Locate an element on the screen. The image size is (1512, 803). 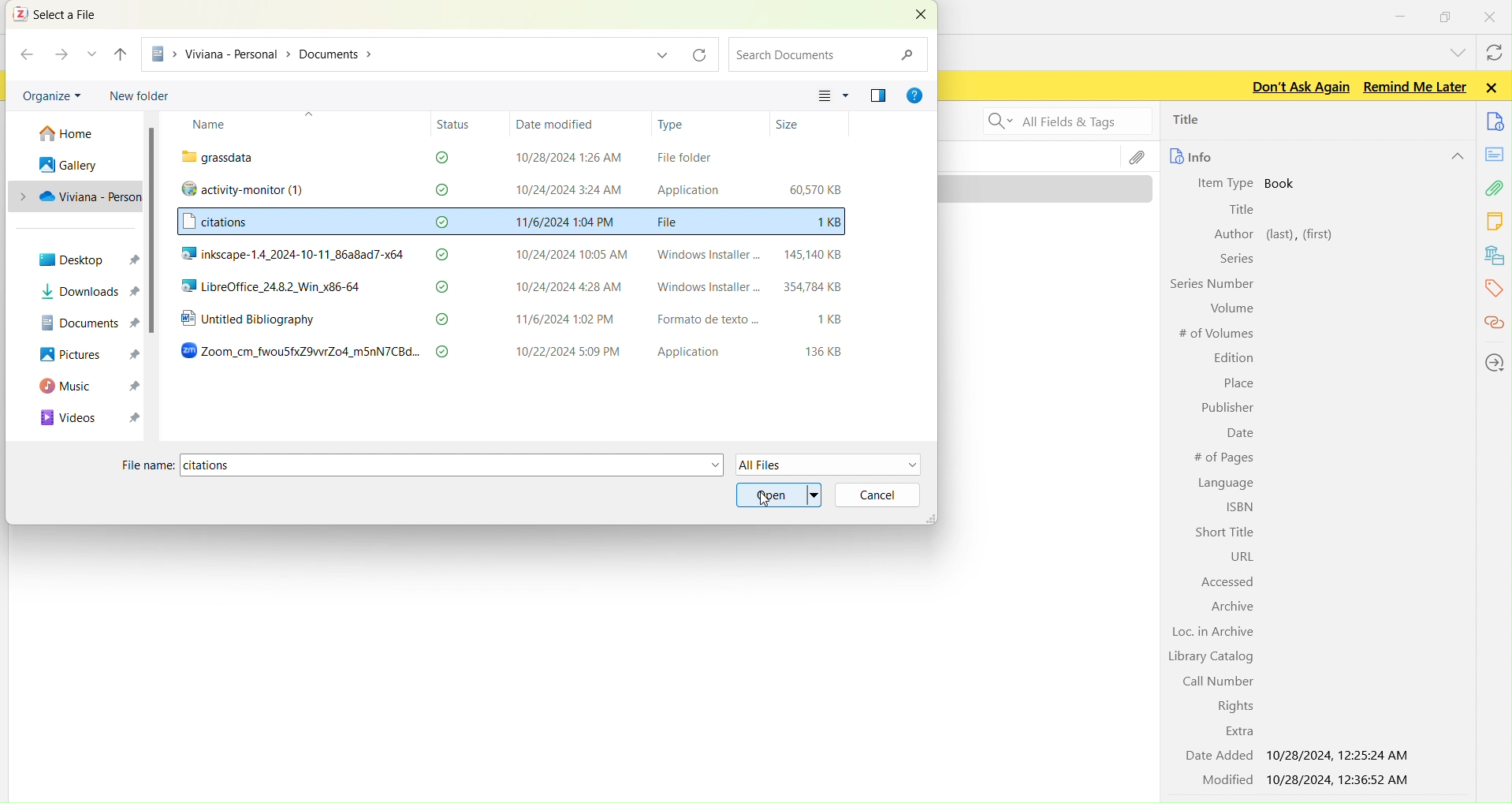
PC is located at coordinates (79, 199).